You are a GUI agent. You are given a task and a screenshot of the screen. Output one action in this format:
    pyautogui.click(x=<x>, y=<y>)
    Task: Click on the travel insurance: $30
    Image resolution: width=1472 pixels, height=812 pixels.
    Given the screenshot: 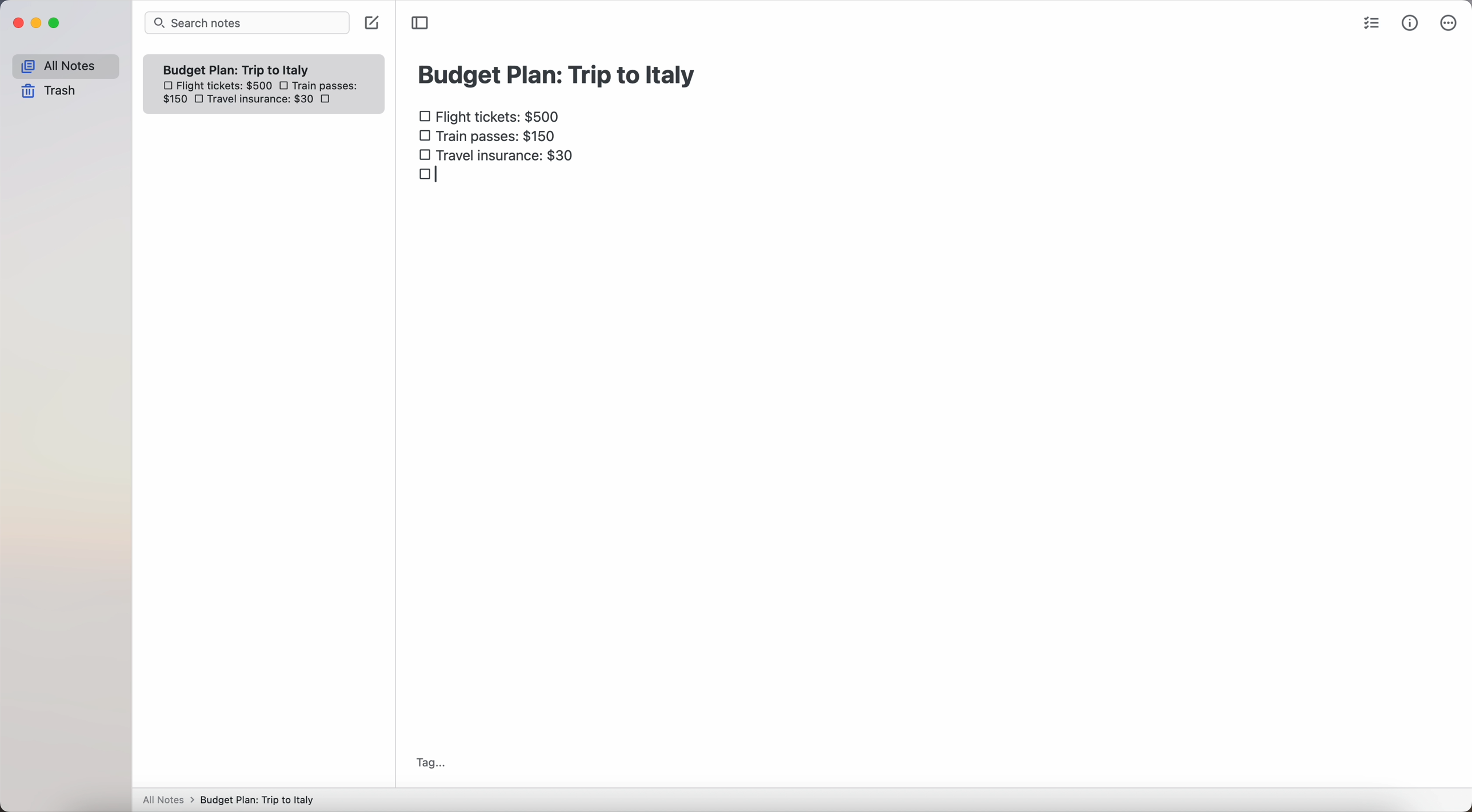 What is the action you would take?
    pyautogui.click(x=268, y=101)
    